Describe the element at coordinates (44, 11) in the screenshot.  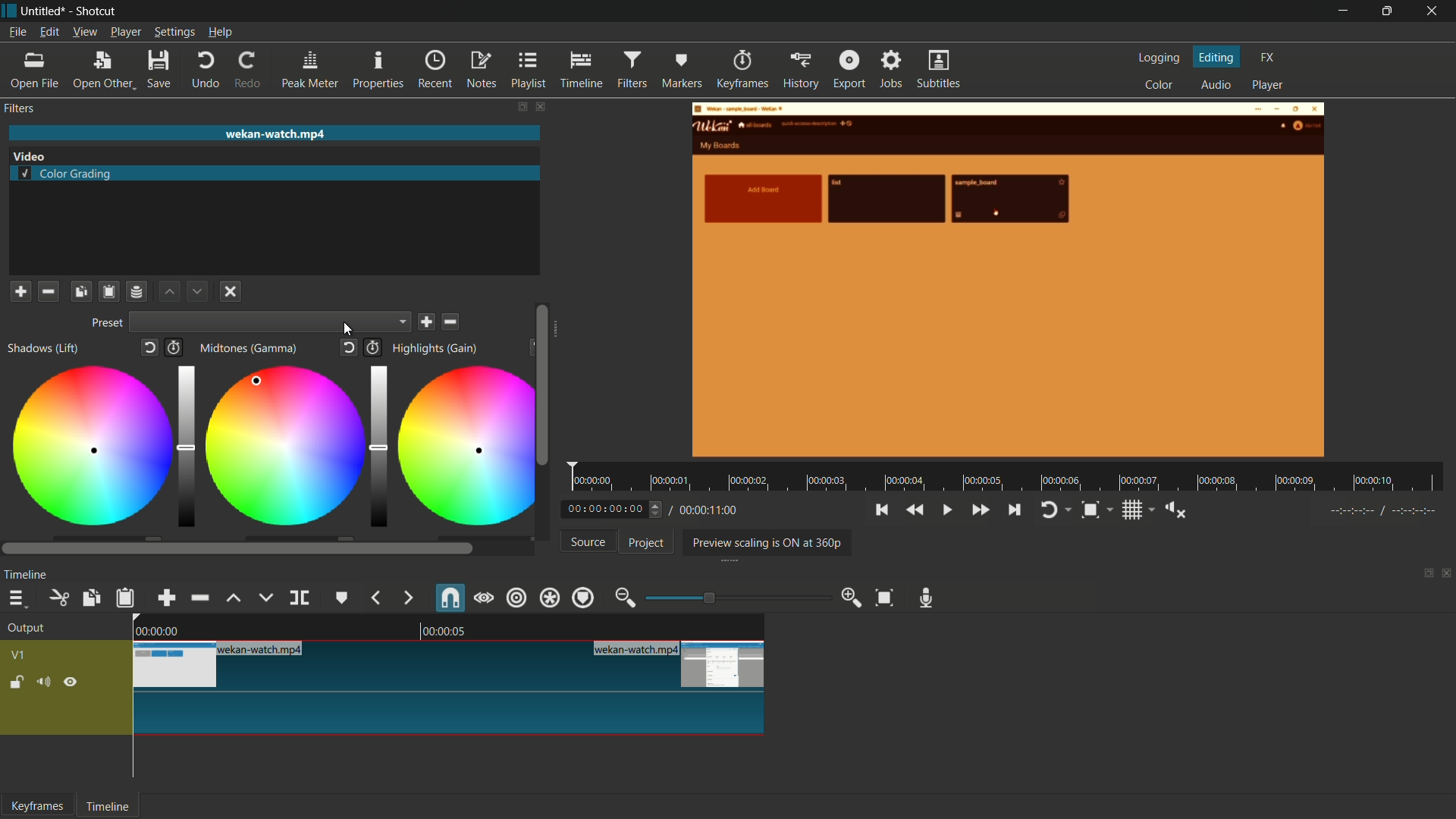
I see `project name` at that location.